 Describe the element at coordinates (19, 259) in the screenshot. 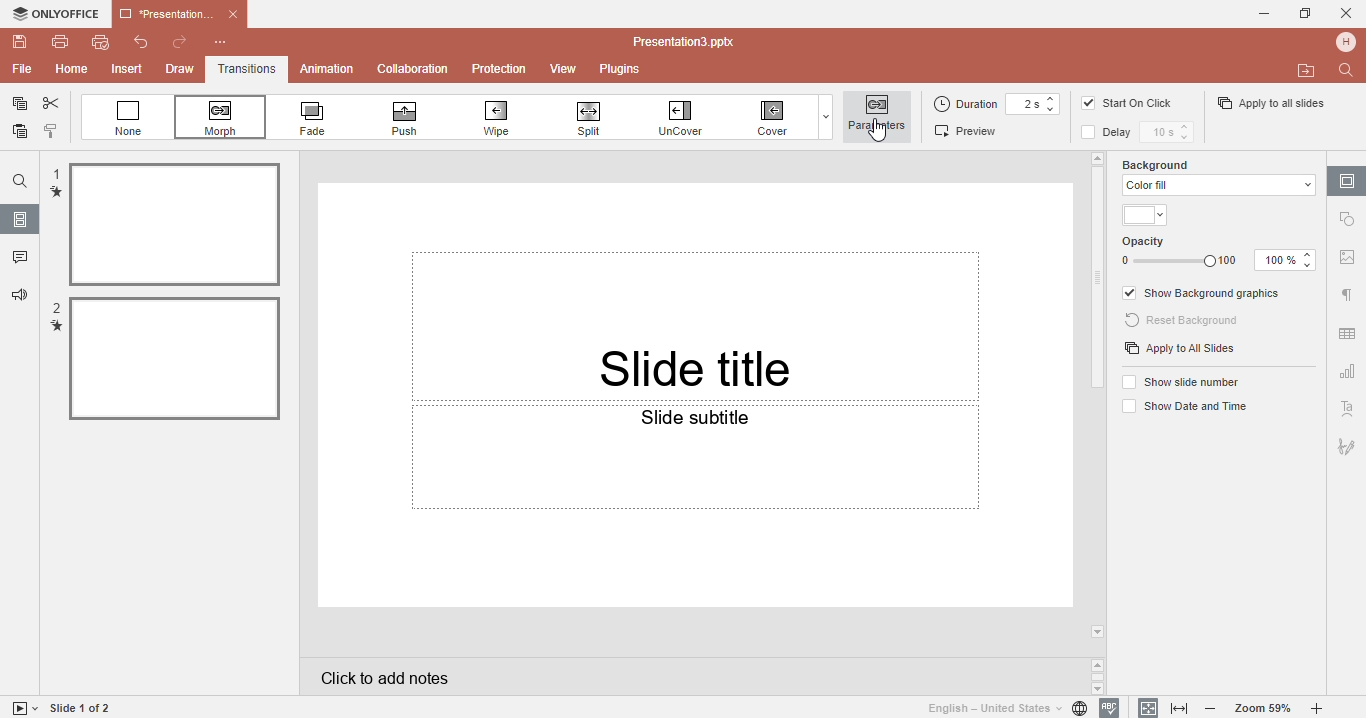

I see `Comments` at that location.